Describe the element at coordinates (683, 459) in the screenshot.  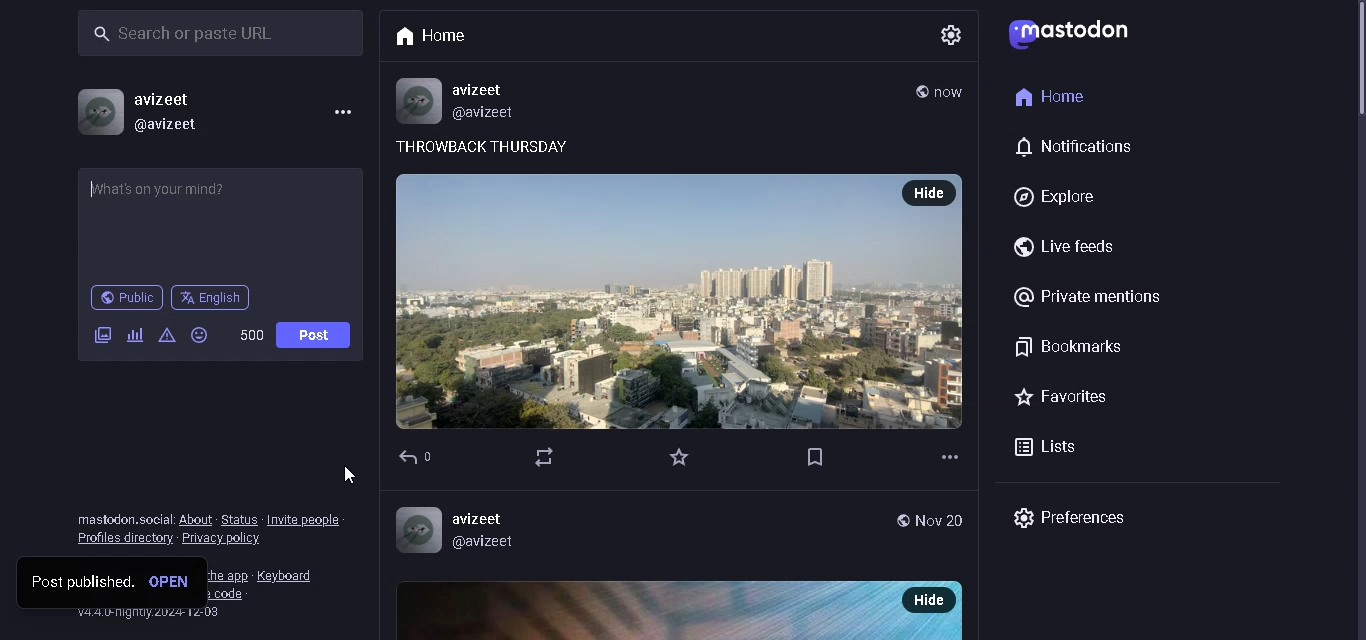
I see `Star` at that location.